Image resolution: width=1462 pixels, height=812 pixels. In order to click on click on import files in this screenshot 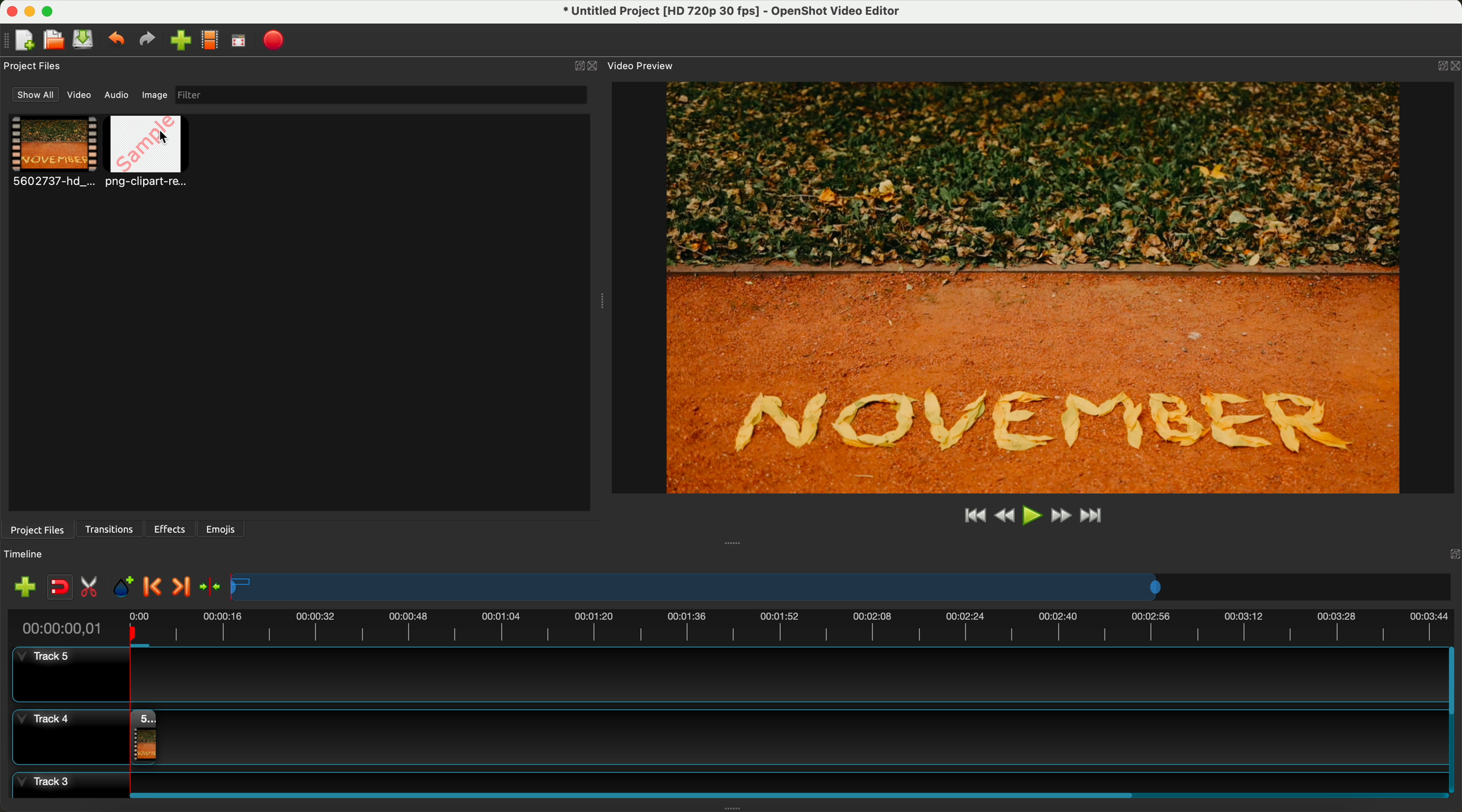, I will do `click(183, 41)`.